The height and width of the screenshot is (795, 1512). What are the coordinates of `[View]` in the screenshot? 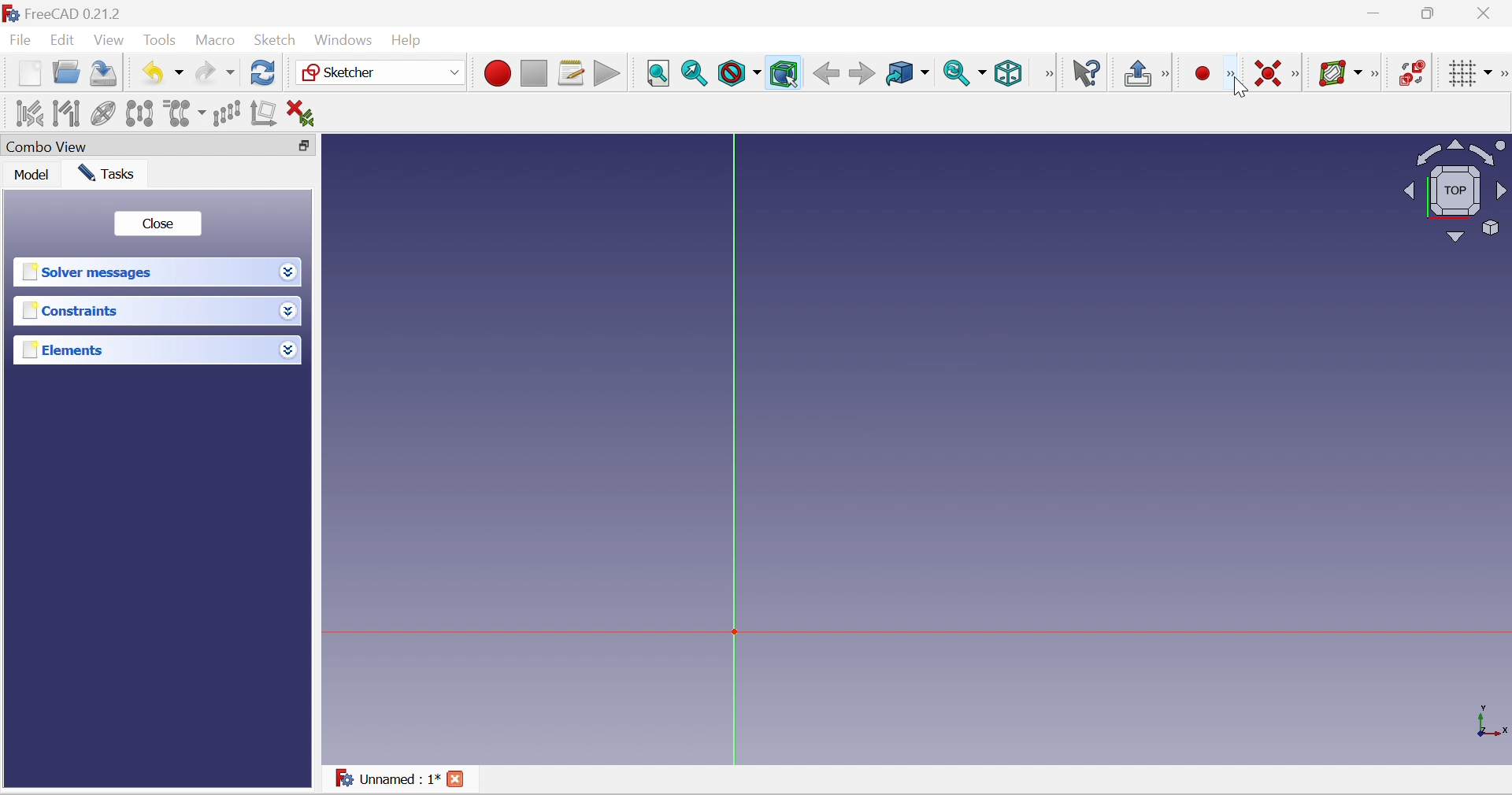 It's located at (1044, 72).